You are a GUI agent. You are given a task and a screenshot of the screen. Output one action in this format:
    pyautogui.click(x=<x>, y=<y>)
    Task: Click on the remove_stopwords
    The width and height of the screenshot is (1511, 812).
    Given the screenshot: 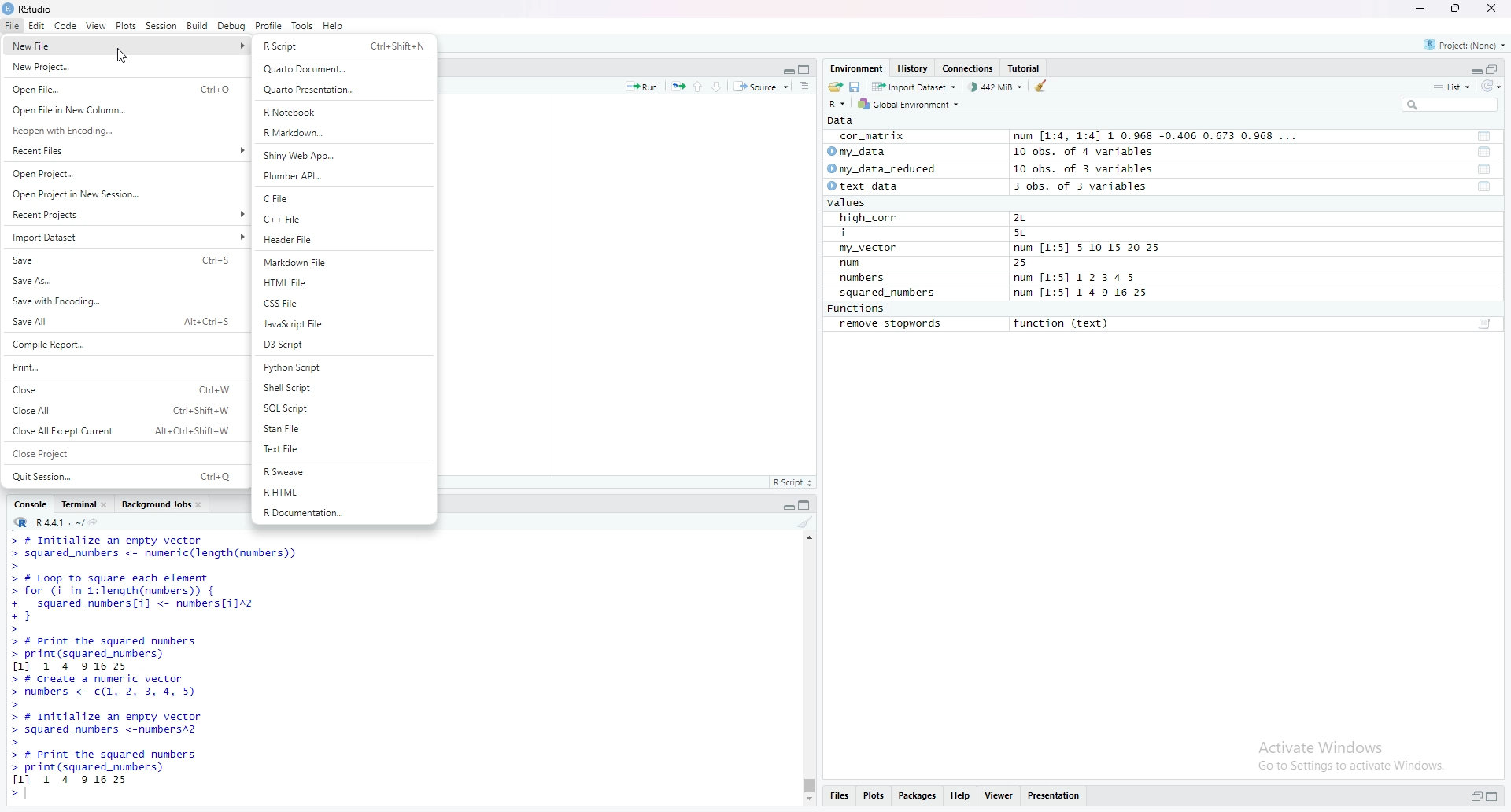 What is the action you would take?
    pyautogui.click(x=892, y=324)
    